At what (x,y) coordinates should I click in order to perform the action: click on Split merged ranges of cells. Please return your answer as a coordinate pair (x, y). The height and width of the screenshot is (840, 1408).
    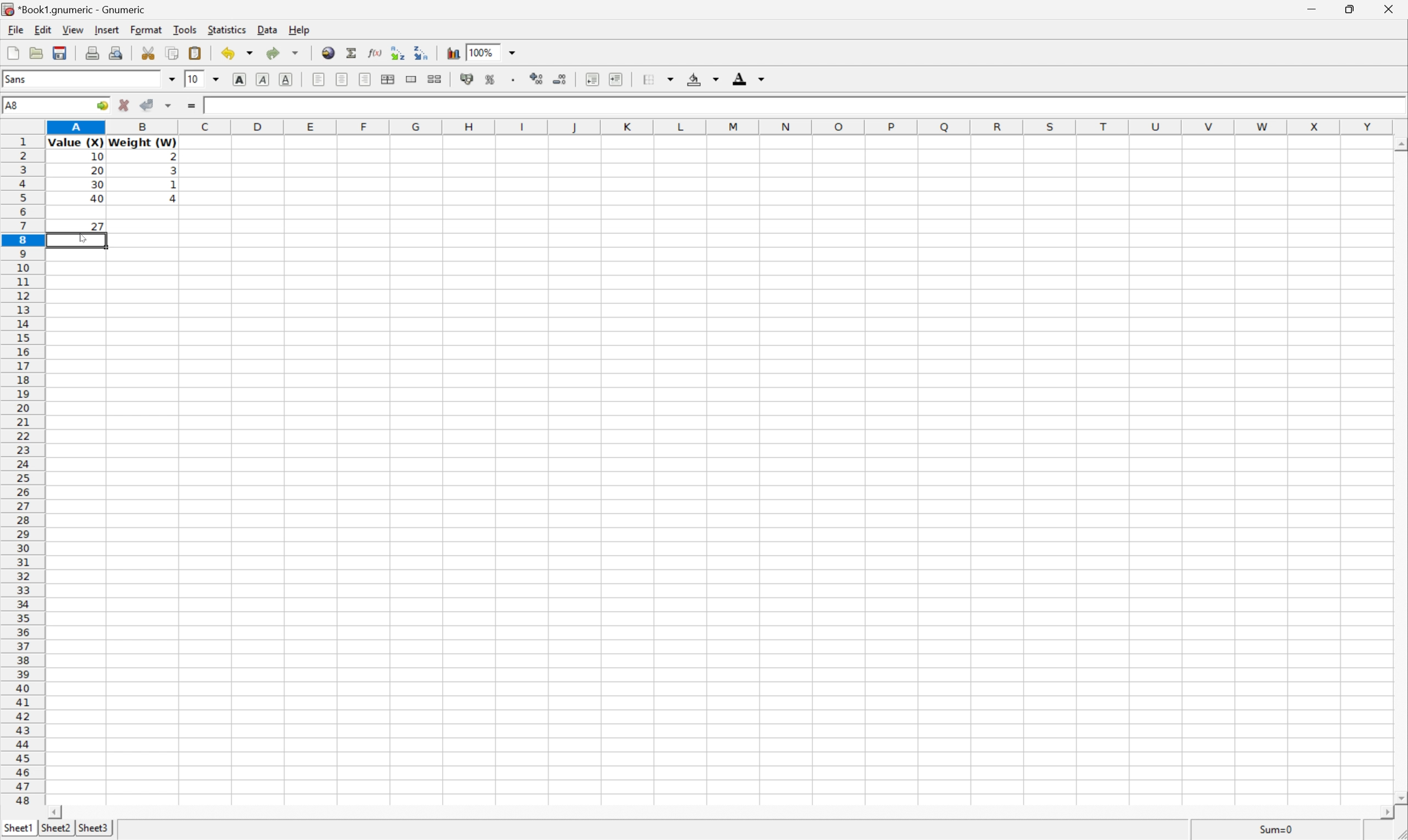
    Looking at the image, I should click on (436, 80).